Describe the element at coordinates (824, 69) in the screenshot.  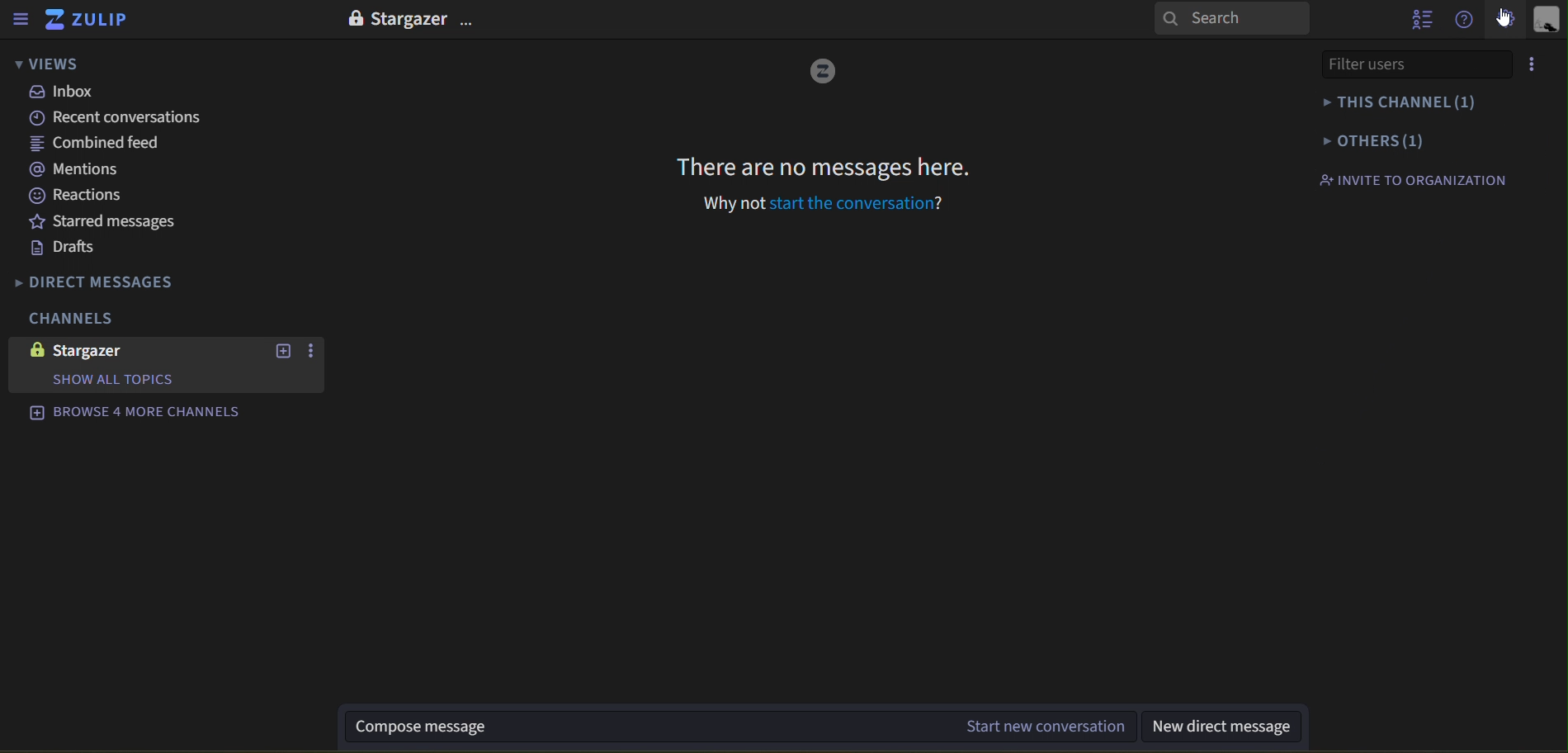
I see `Logo` at that location.